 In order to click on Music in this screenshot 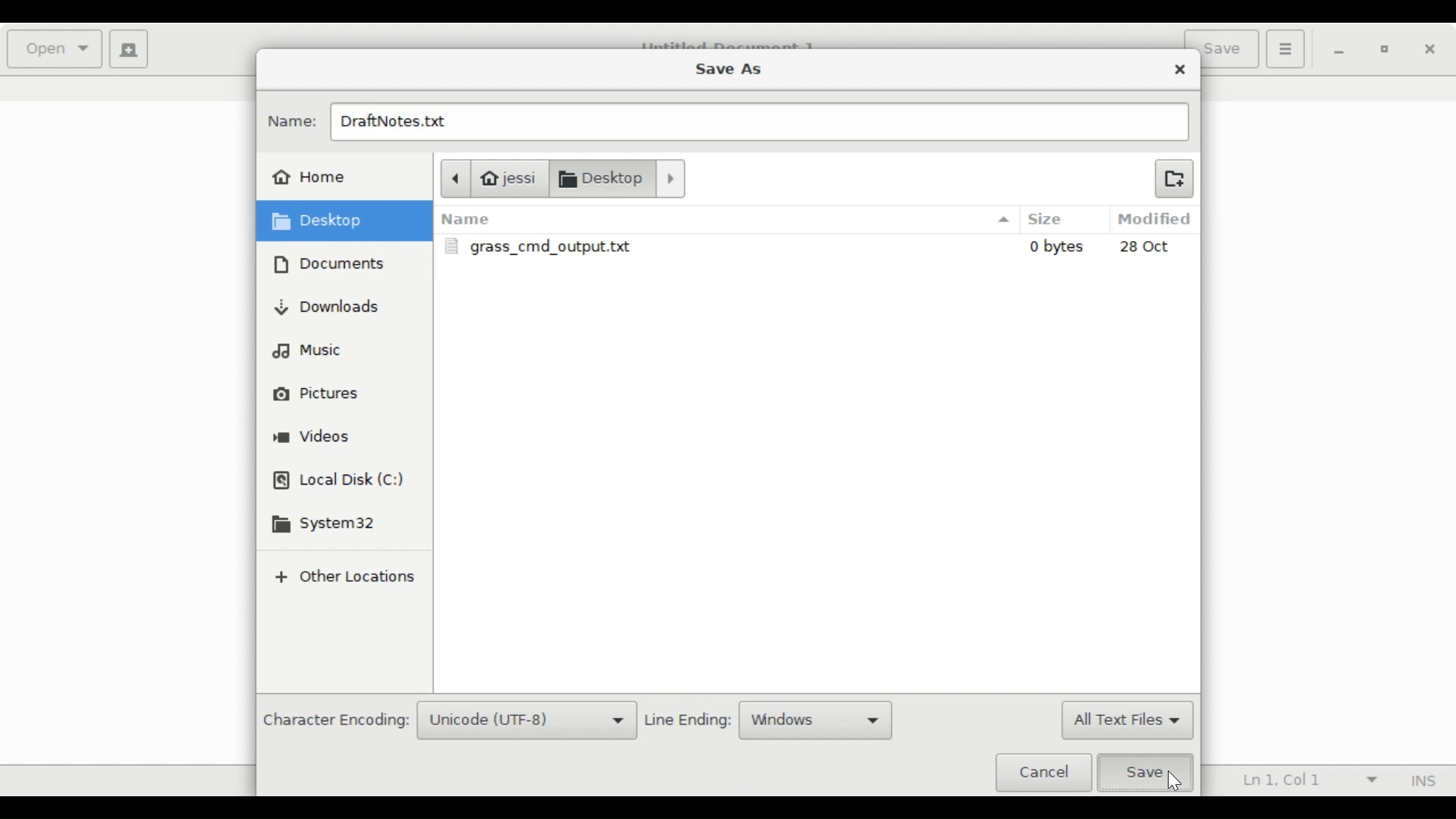, I will do `click(308, 350)`.